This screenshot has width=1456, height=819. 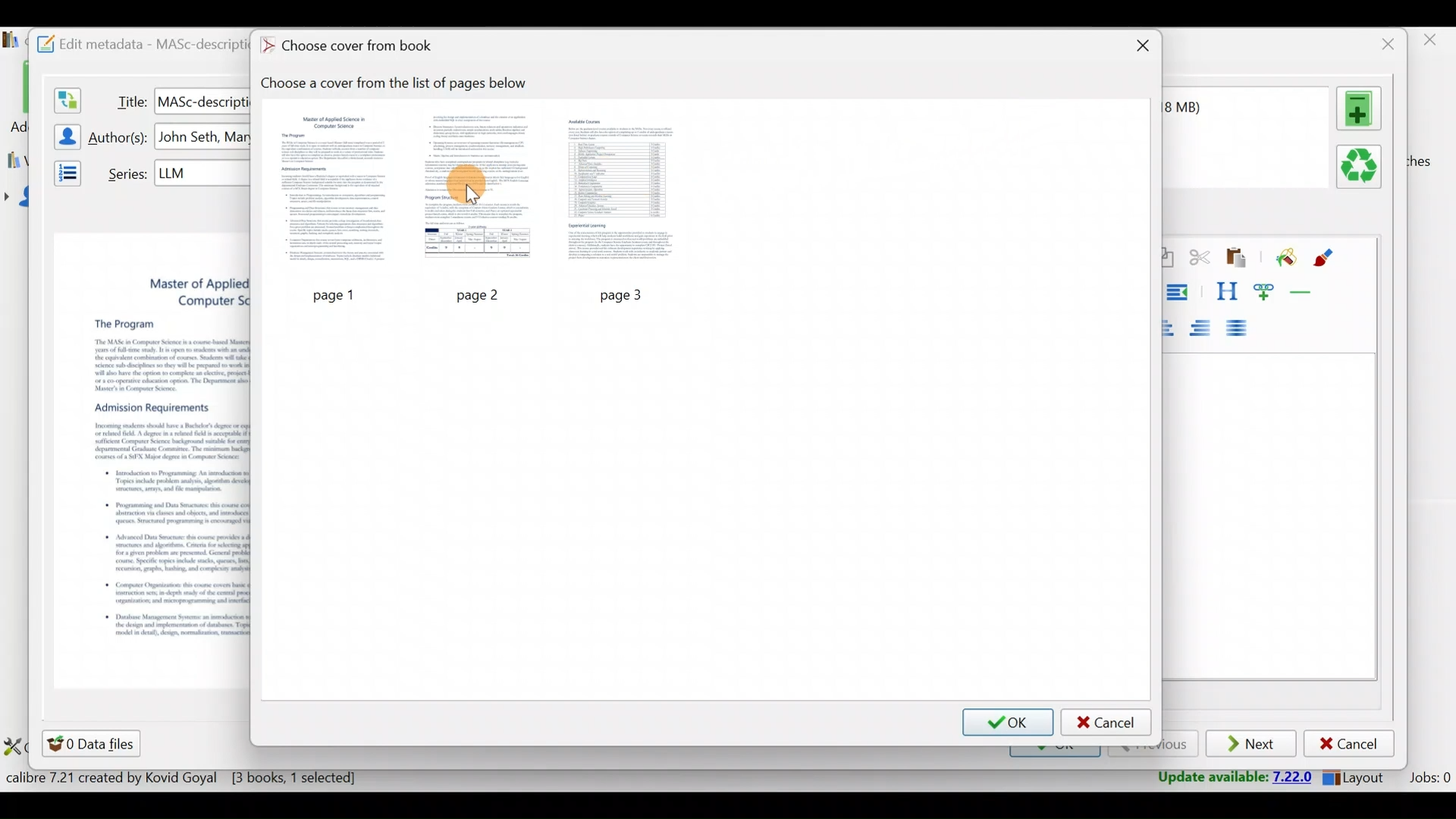 I want to click on Close, so click(x=1140, y=48).